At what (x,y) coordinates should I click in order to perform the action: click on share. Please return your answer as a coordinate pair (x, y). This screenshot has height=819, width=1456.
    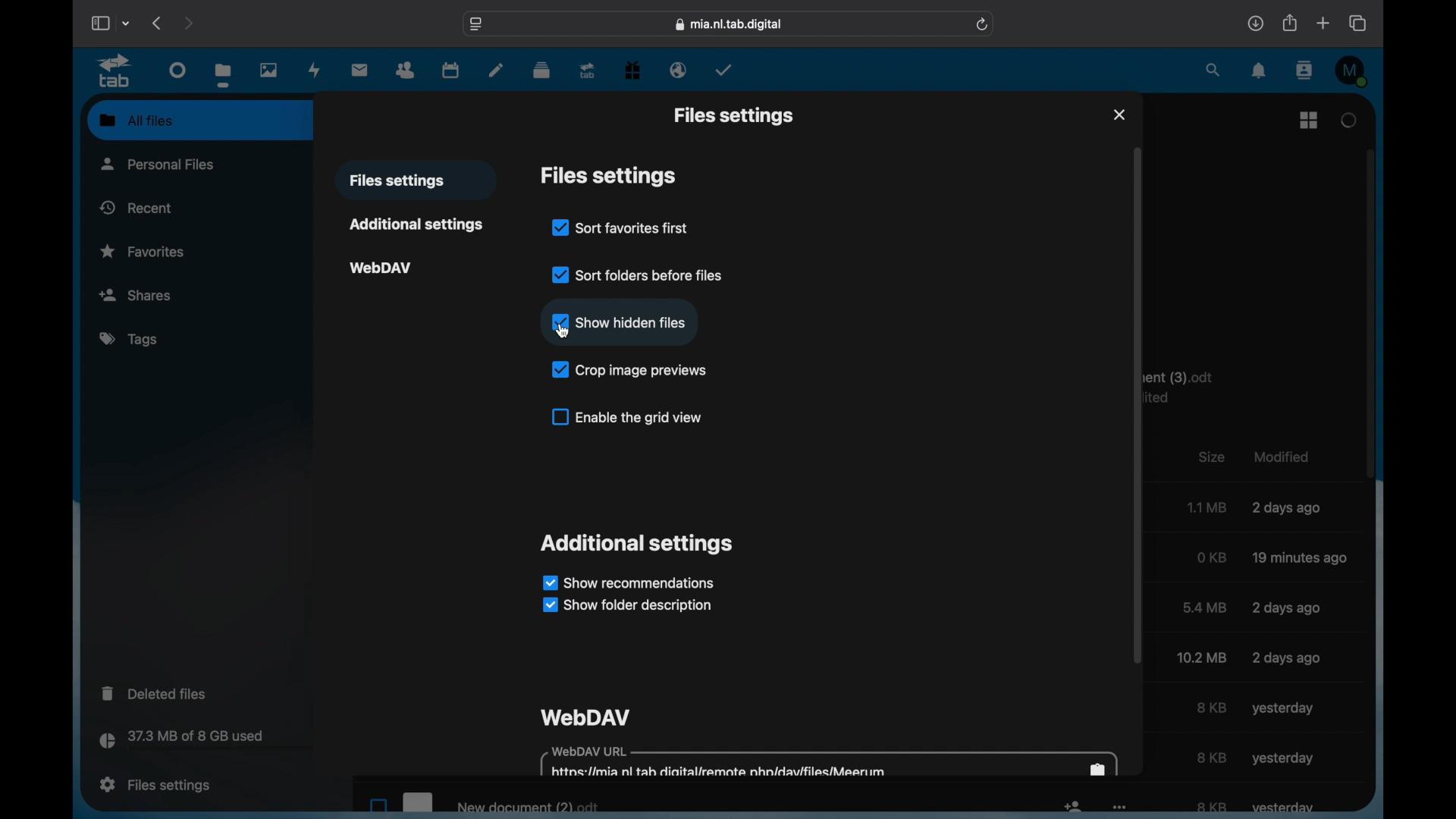
    Looking at the image, I should click on (1288, 23).